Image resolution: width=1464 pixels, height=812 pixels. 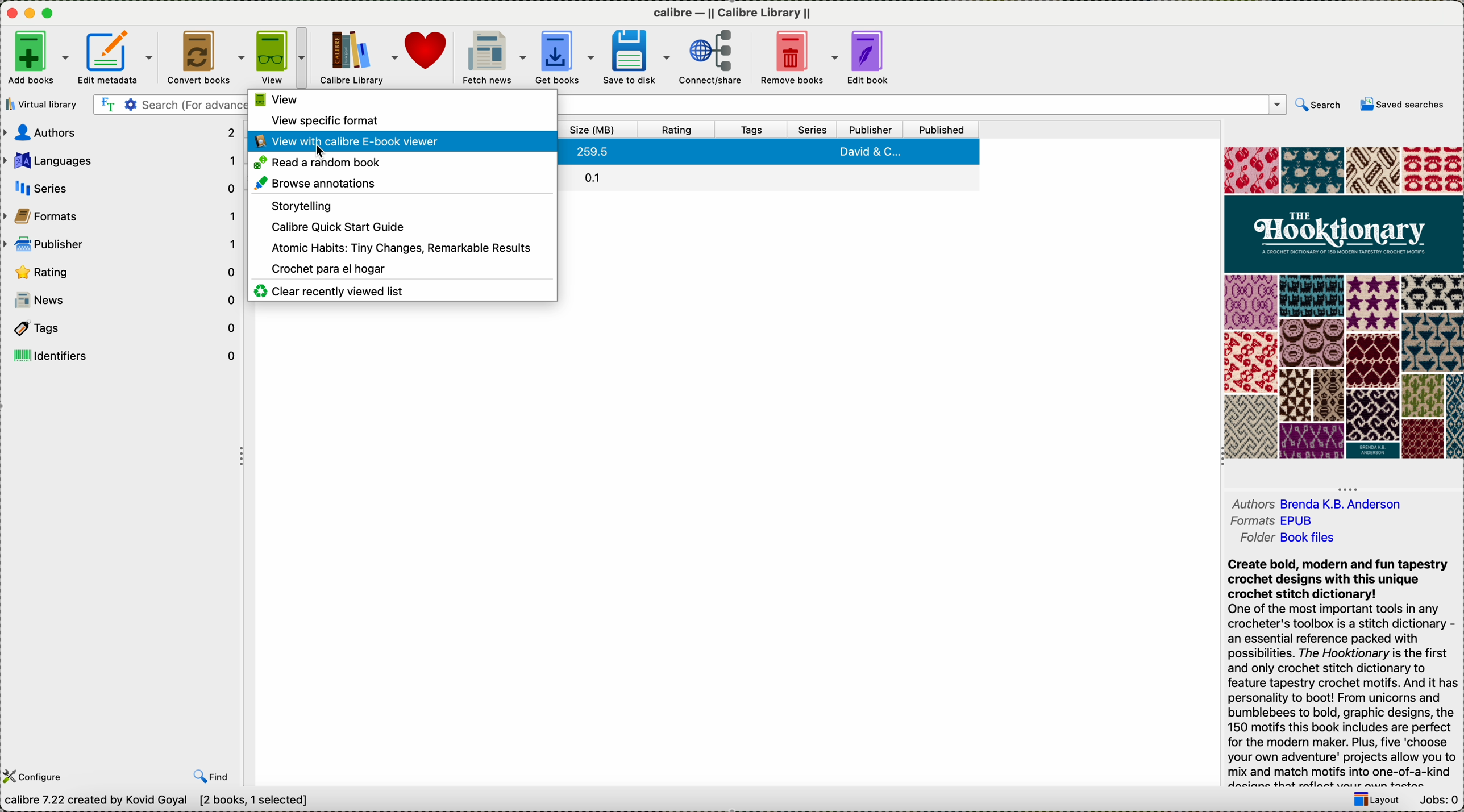 I want to click on connect/share, so click(x=711, y=56).